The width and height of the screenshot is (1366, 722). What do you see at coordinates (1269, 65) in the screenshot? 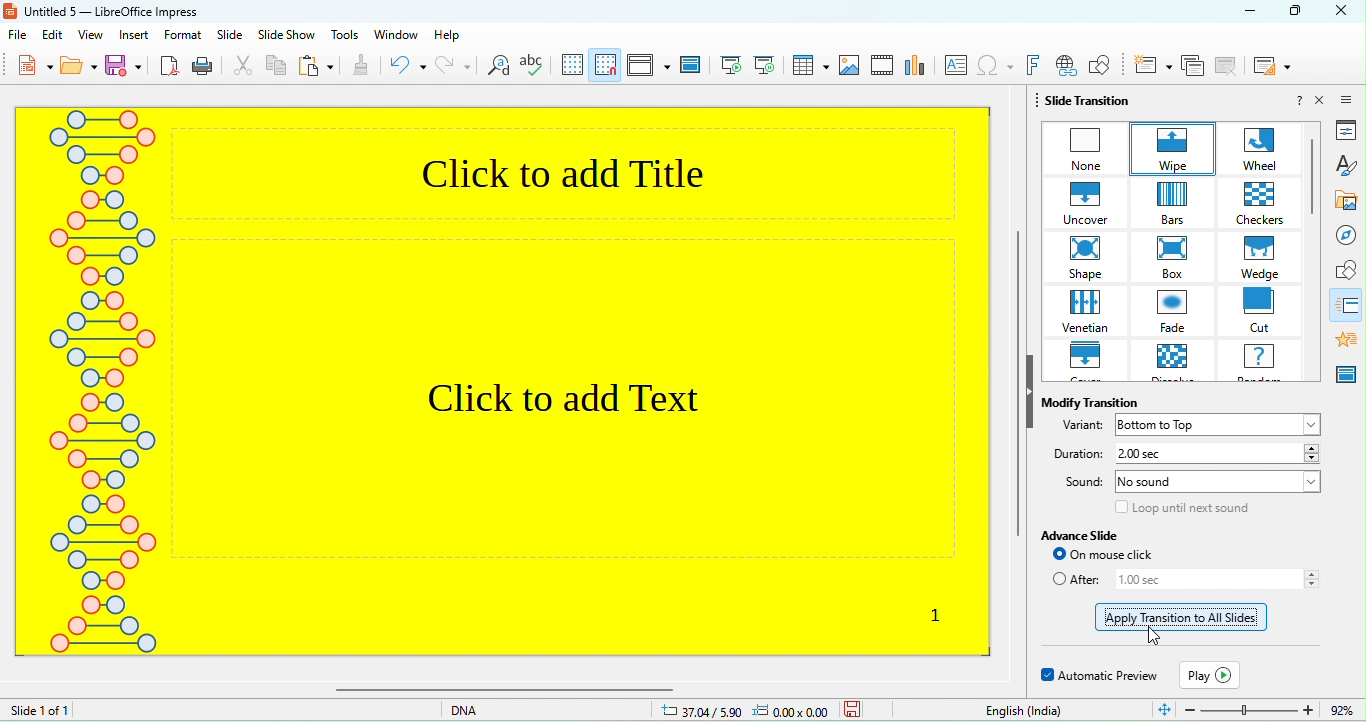
I see `slide layout` at bounding box center [1269, 65].